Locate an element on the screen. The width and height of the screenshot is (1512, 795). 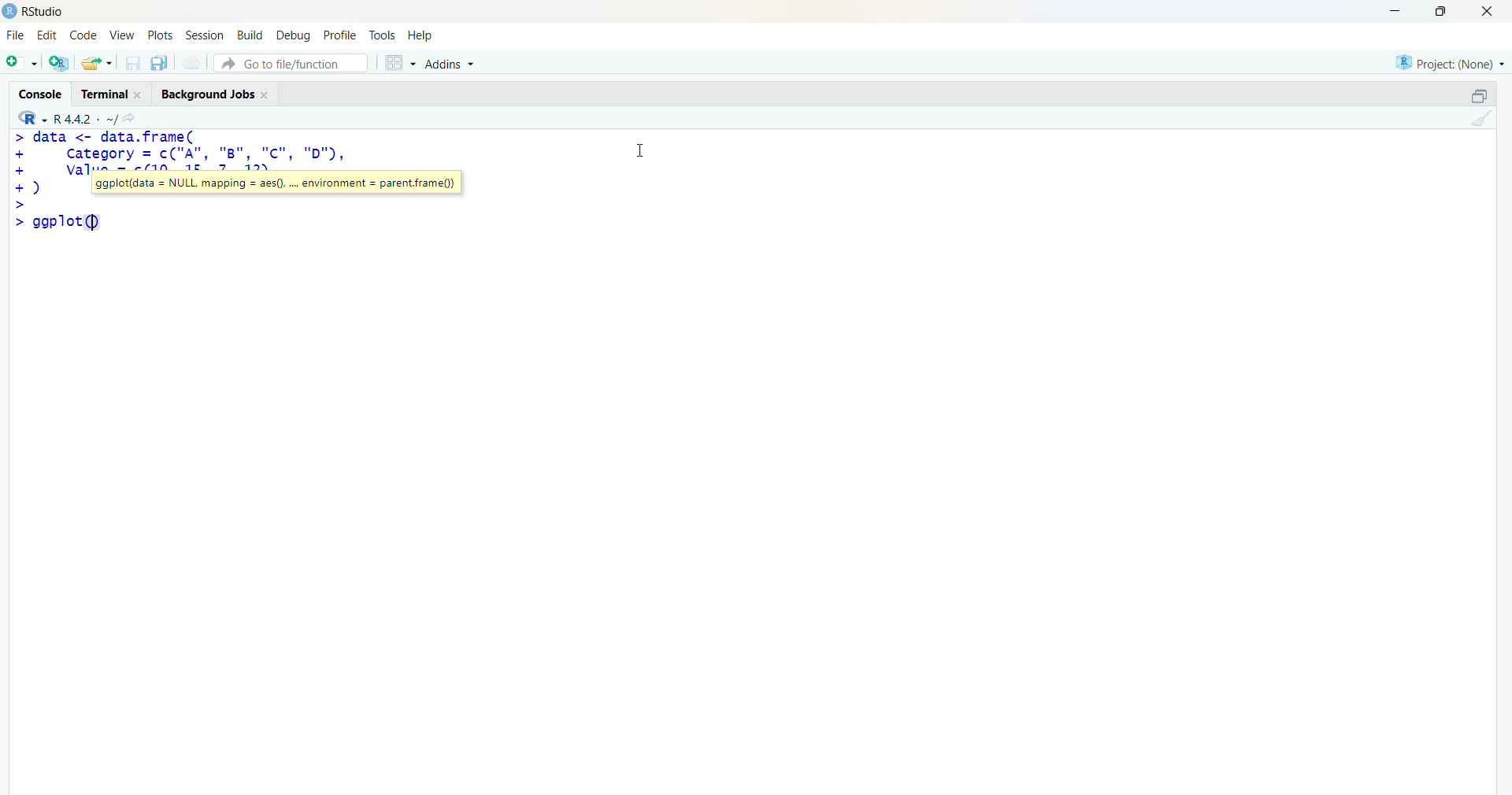
File is located at coordinates (16, 35).